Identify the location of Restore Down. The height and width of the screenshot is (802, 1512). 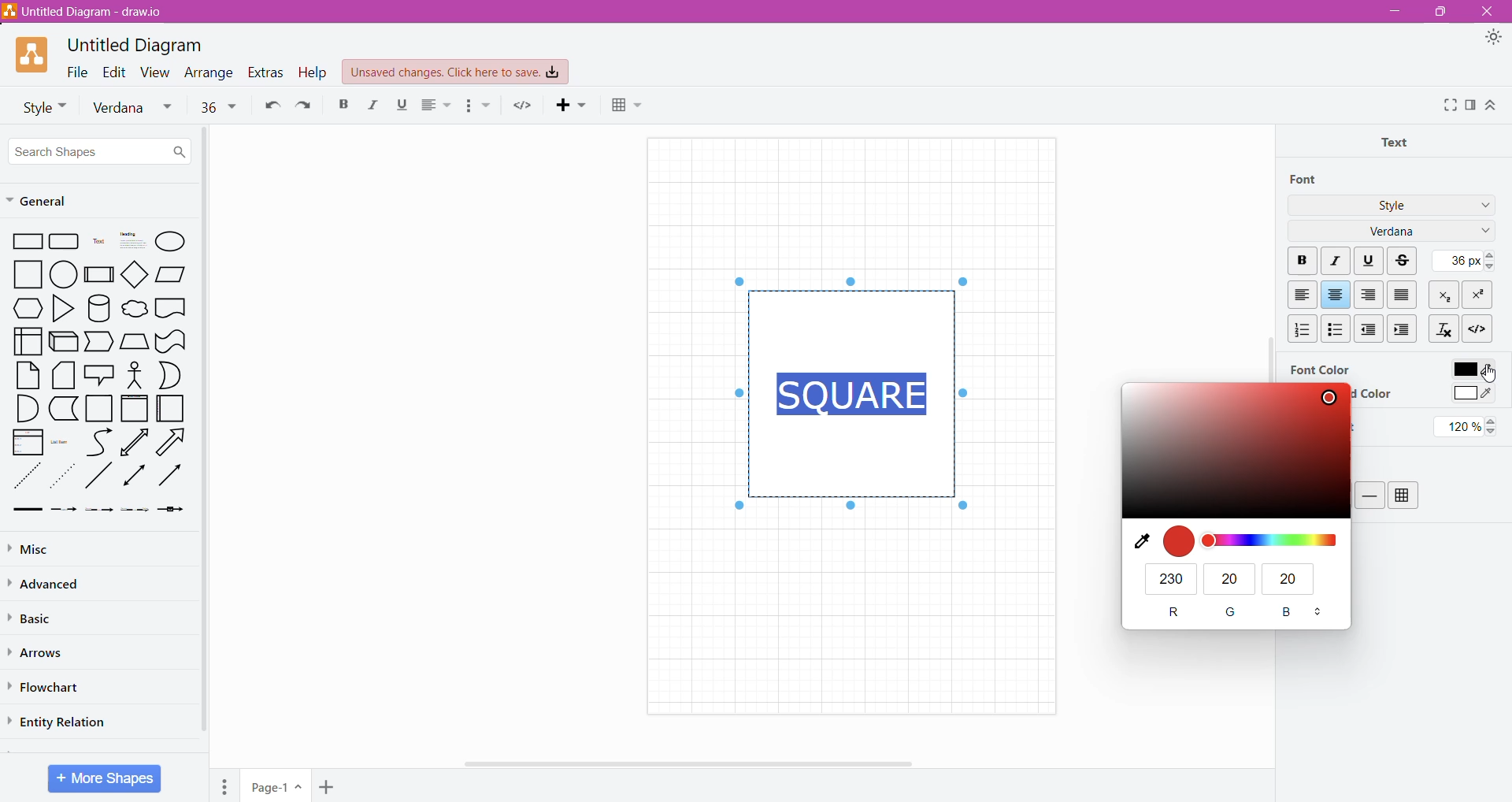
(1437, 13).